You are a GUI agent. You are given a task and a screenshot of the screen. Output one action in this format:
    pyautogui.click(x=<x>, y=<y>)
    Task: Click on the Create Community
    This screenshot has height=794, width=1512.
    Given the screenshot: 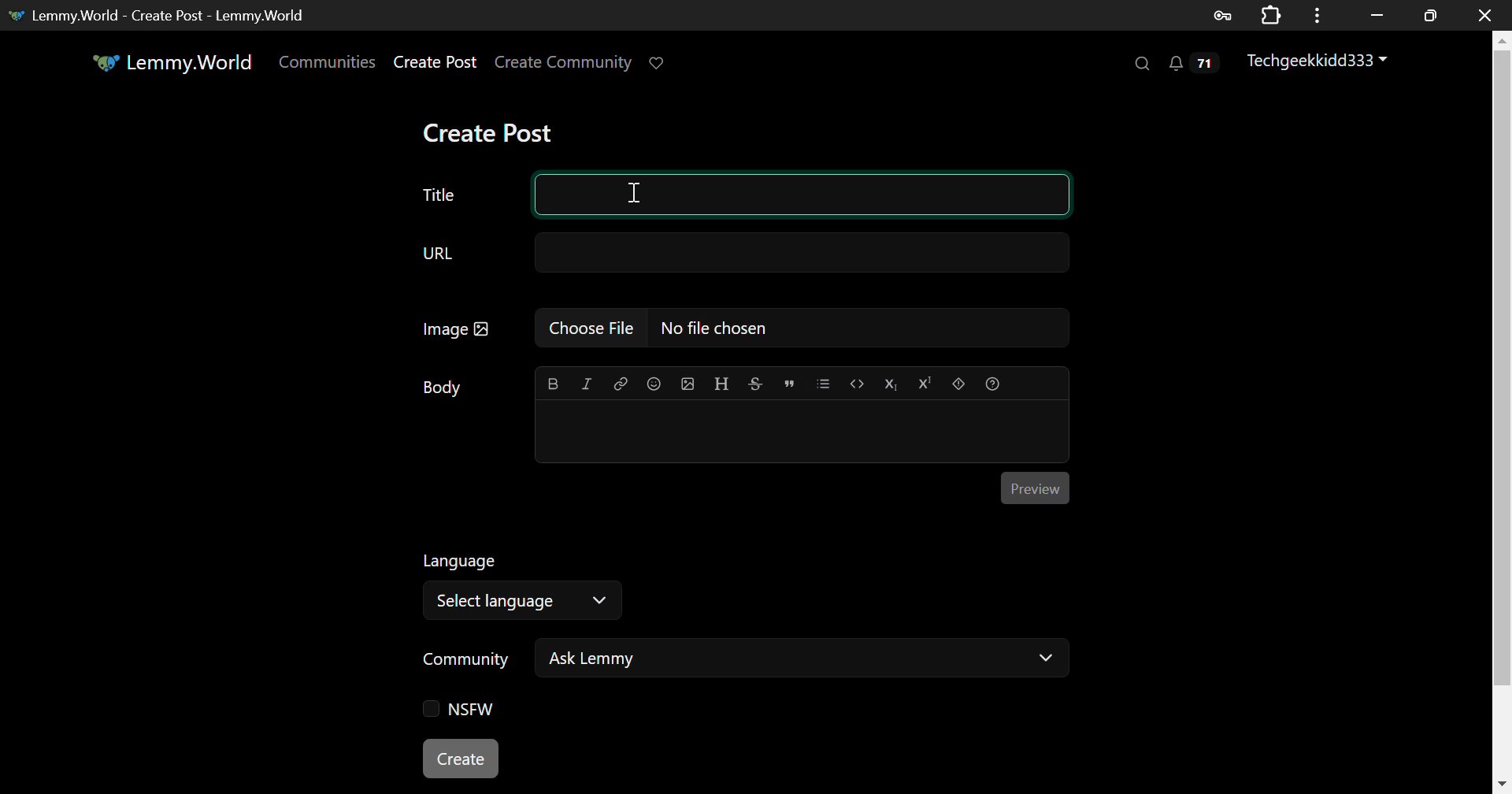 What is the action you would take?
    pyautogui.click(x=564, y=64)
    